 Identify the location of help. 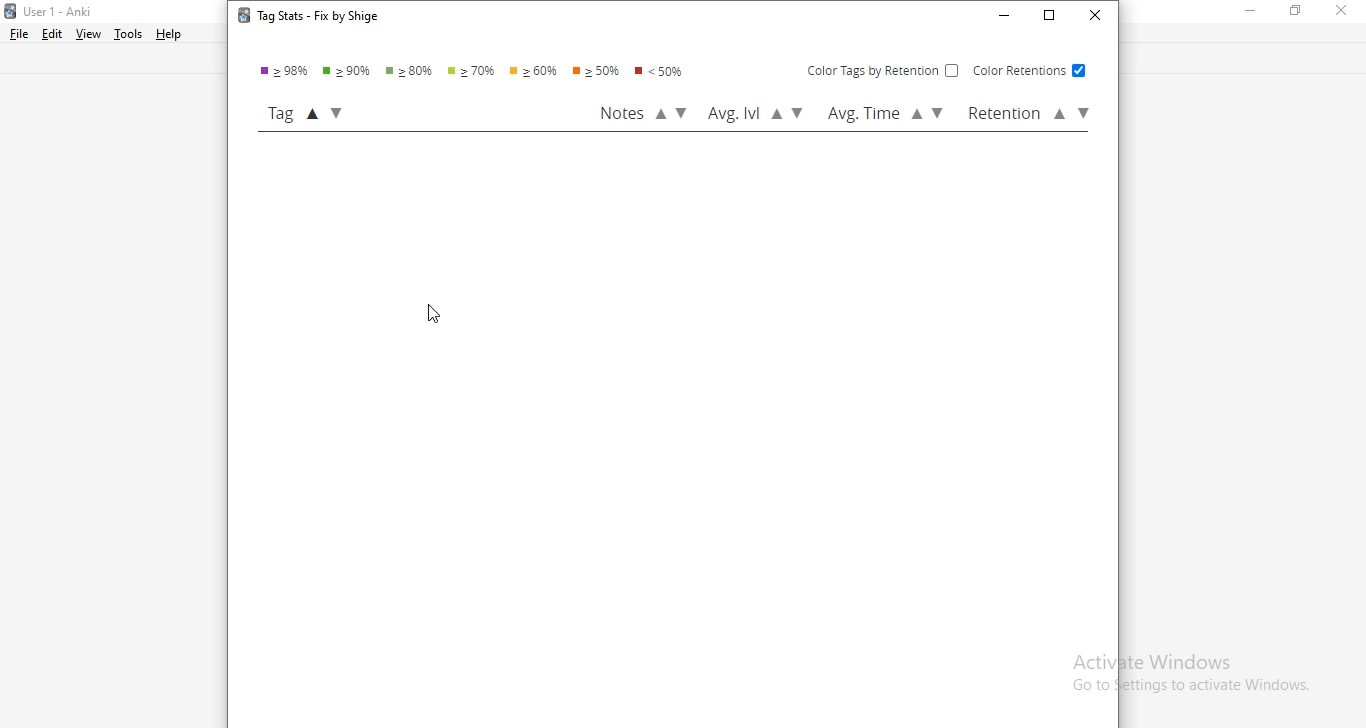
(172, 35).